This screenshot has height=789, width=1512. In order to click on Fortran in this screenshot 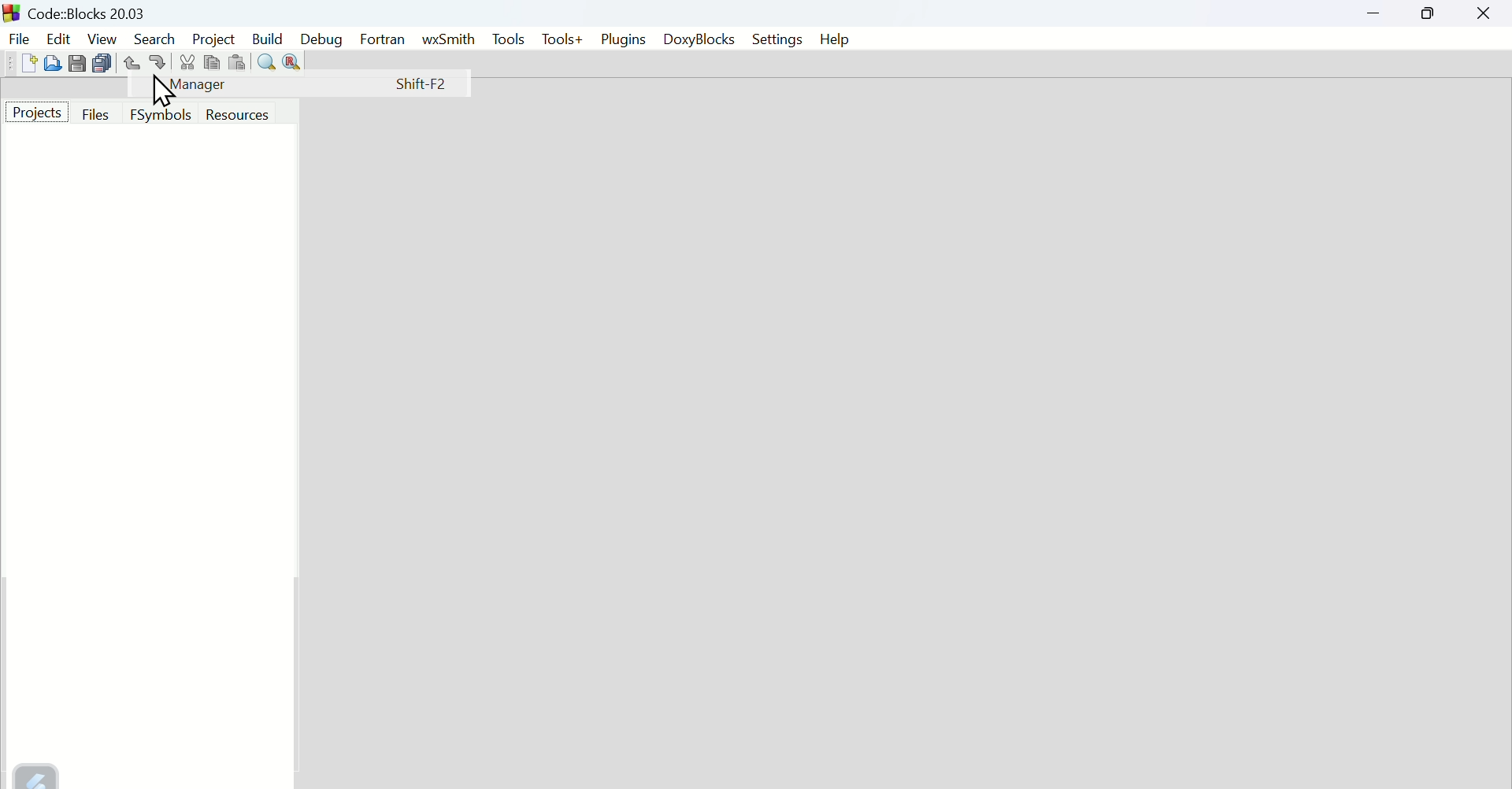, I will do `click(383, 40)`.